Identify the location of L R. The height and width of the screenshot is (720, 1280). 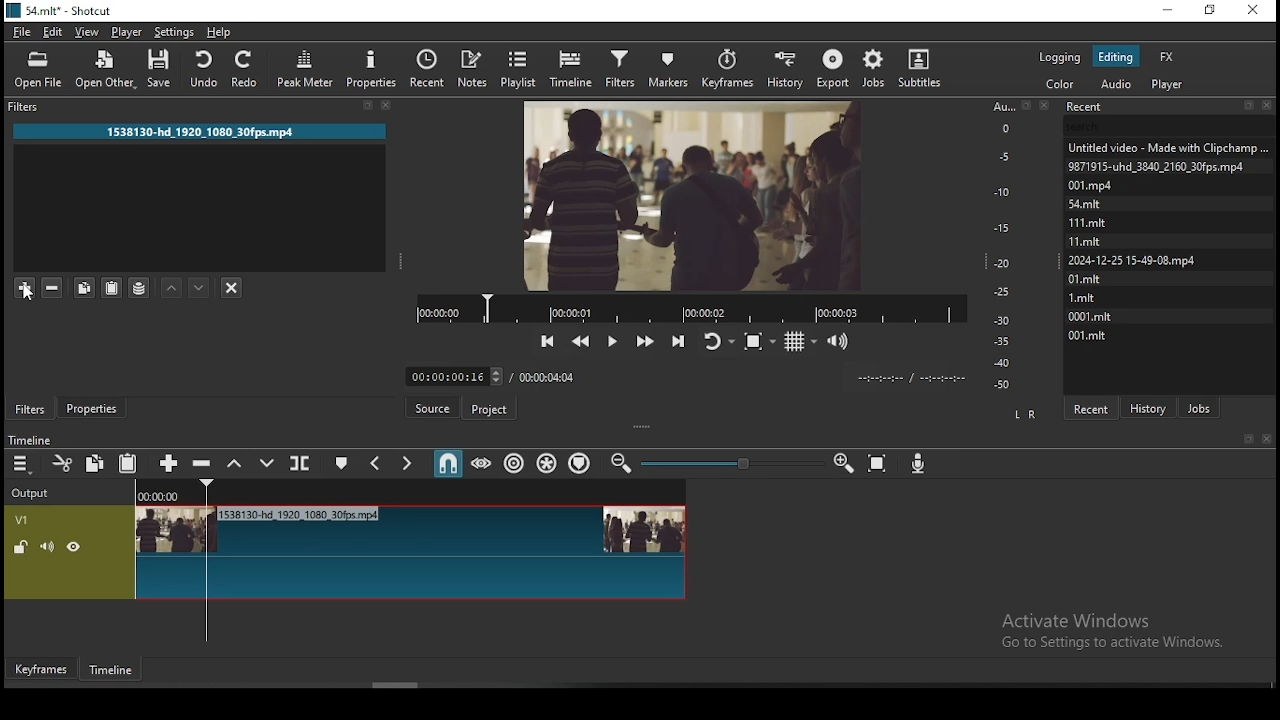
(1022, 413).